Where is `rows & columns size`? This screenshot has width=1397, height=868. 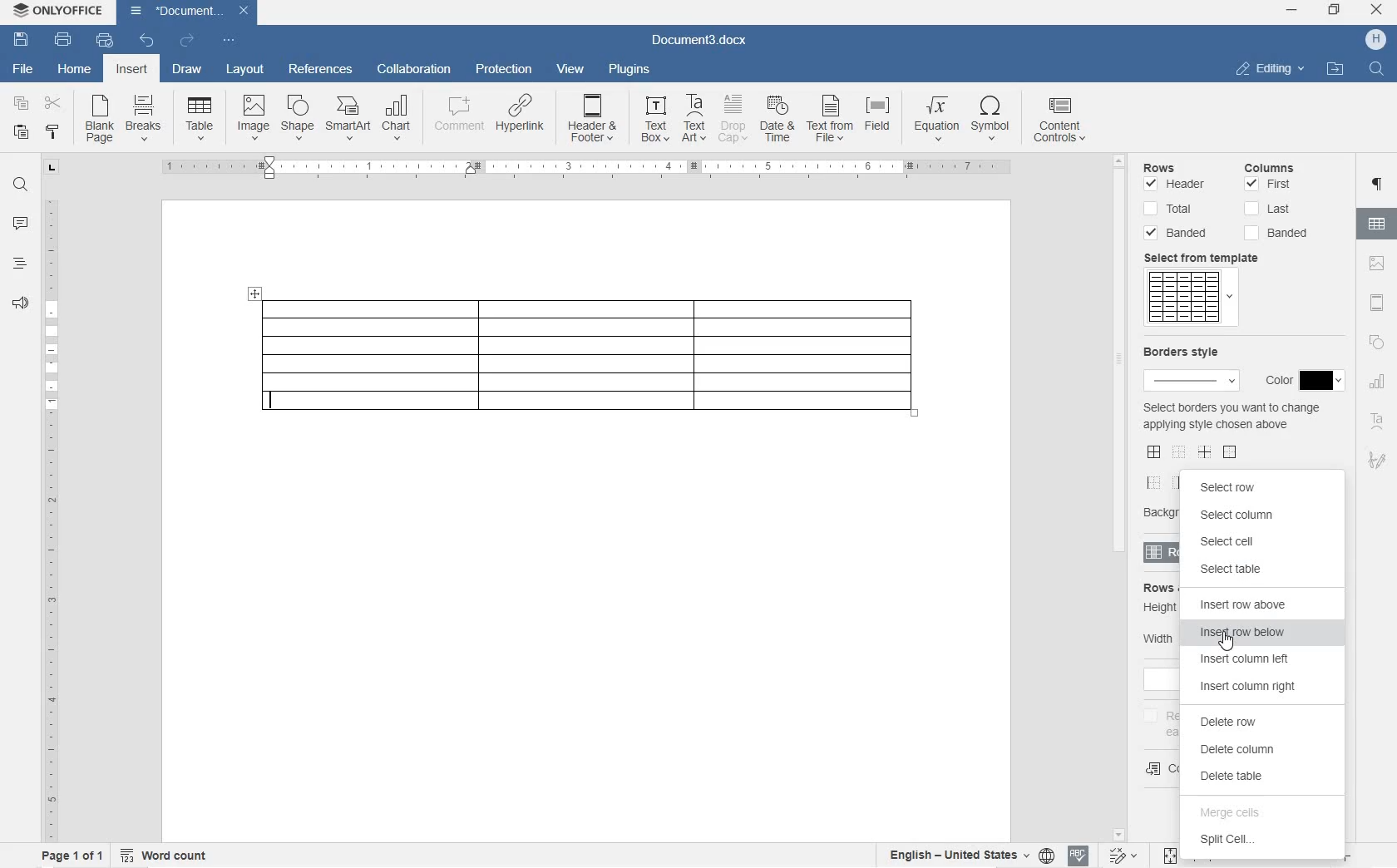 rows & columns size is located at coordinates (1160, 586).